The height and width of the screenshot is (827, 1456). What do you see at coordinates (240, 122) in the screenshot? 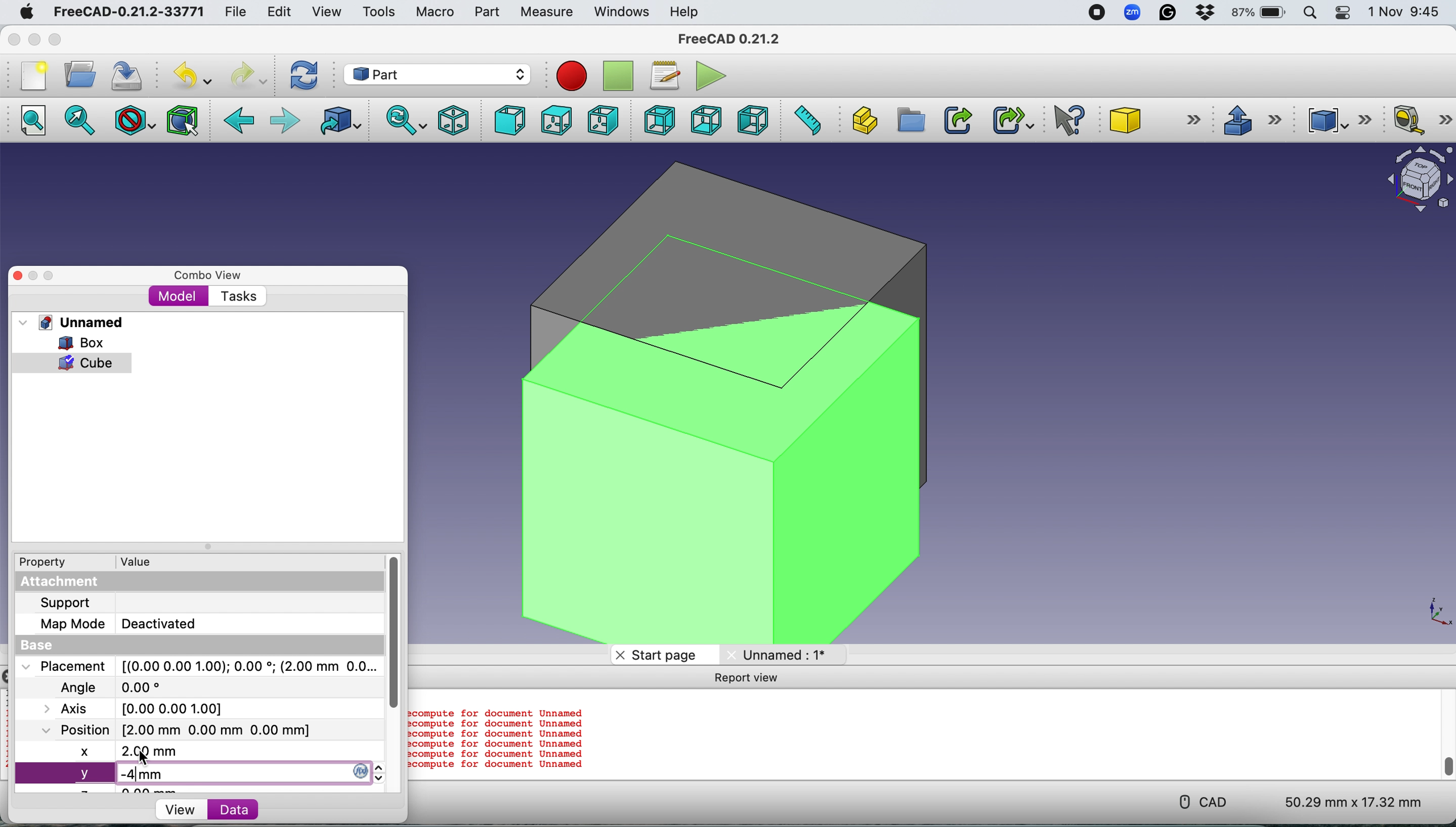
I see `Backward` at bounding box center [240, 122].